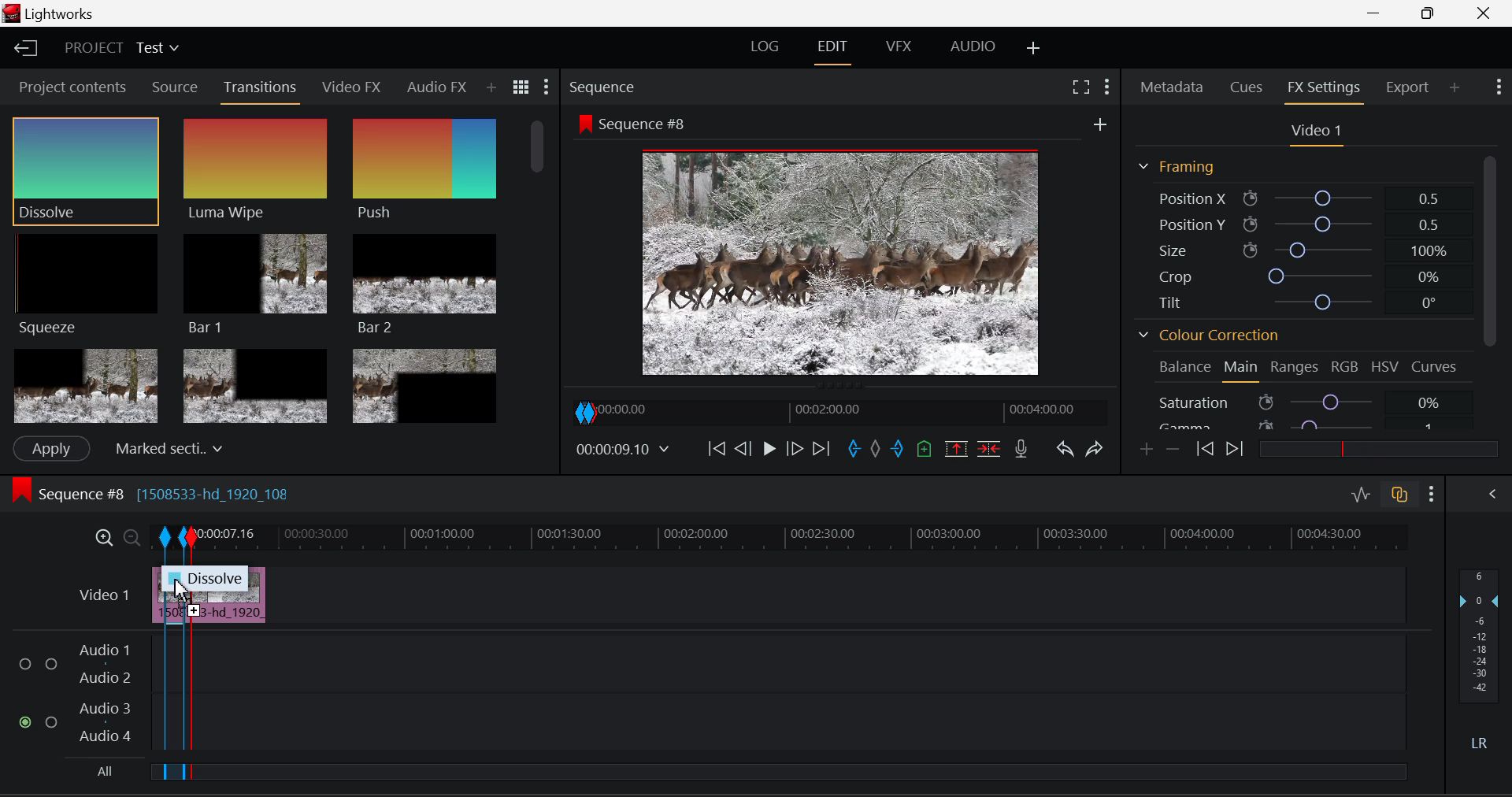  Describe the element at coordinates (105, 710) in the screenshot. I see `Audio 3` at that location.